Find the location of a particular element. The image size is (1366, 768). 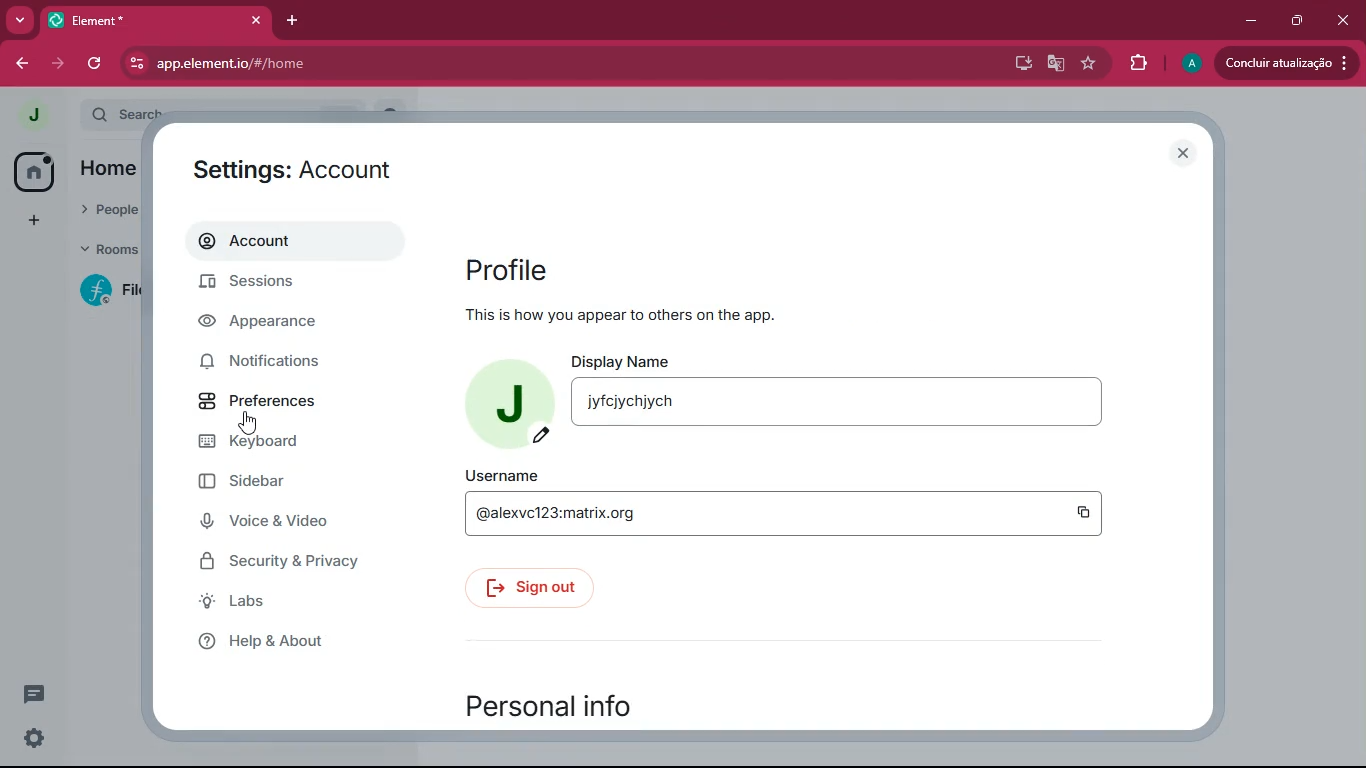

profile picture is located at coordinates (27, 114).